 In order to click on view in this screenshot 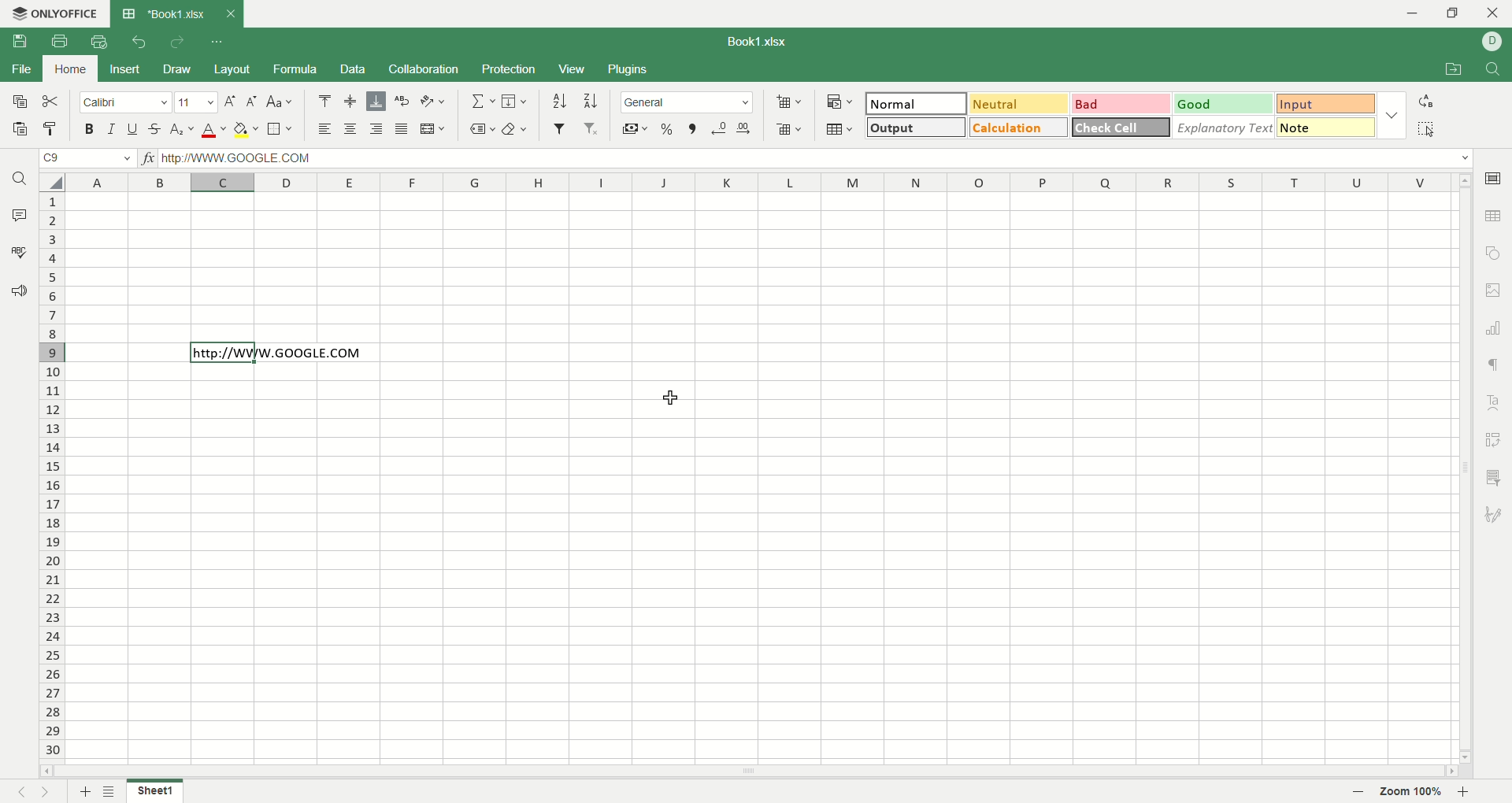, I will do `click(570, 70)`.